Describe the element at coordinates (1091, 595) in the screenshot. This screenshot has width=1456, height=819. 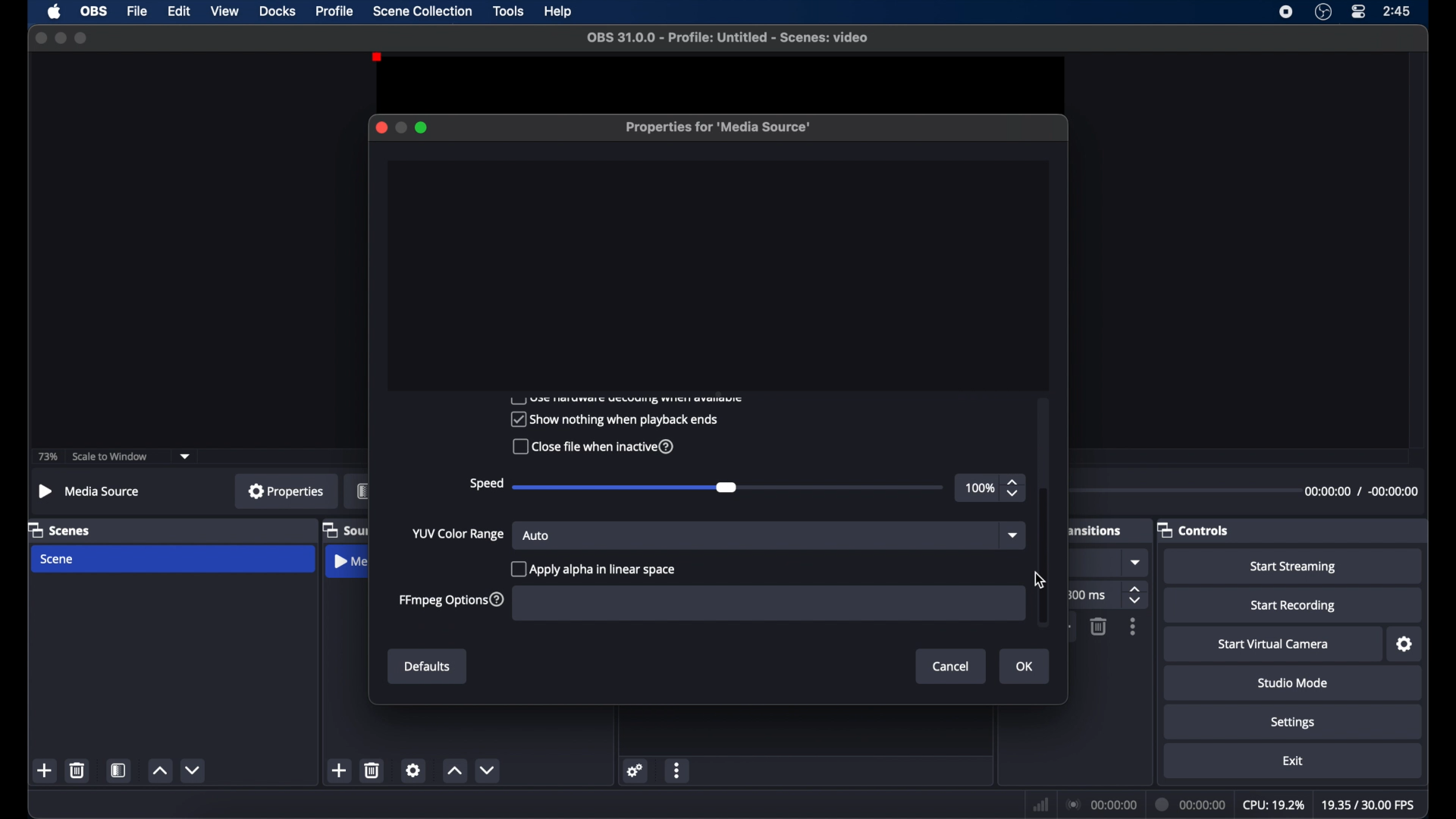
I see `ms` at that location.